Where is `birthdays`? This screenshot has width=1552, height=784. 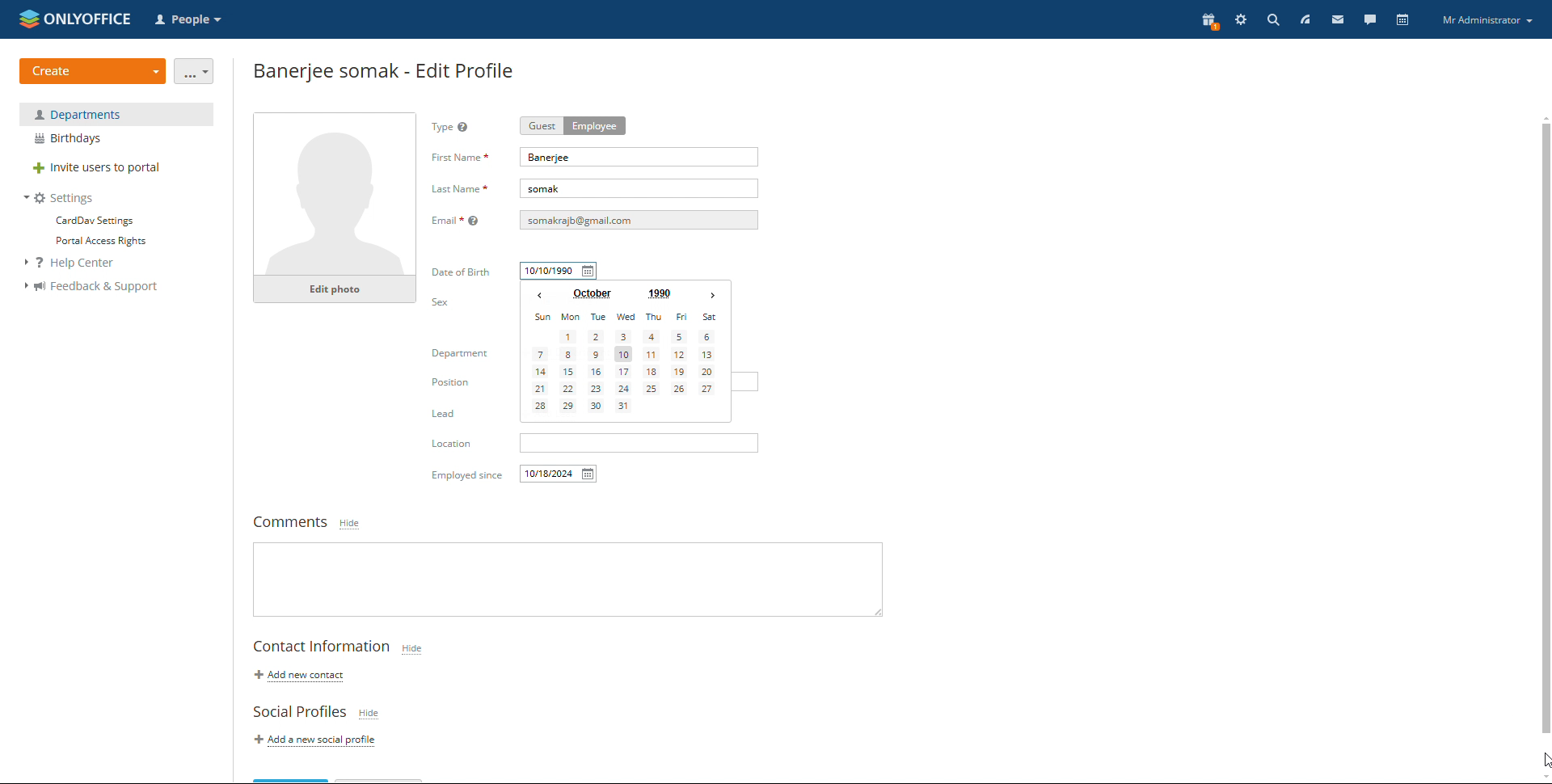
birthdays is located at coordinates (116, 139).